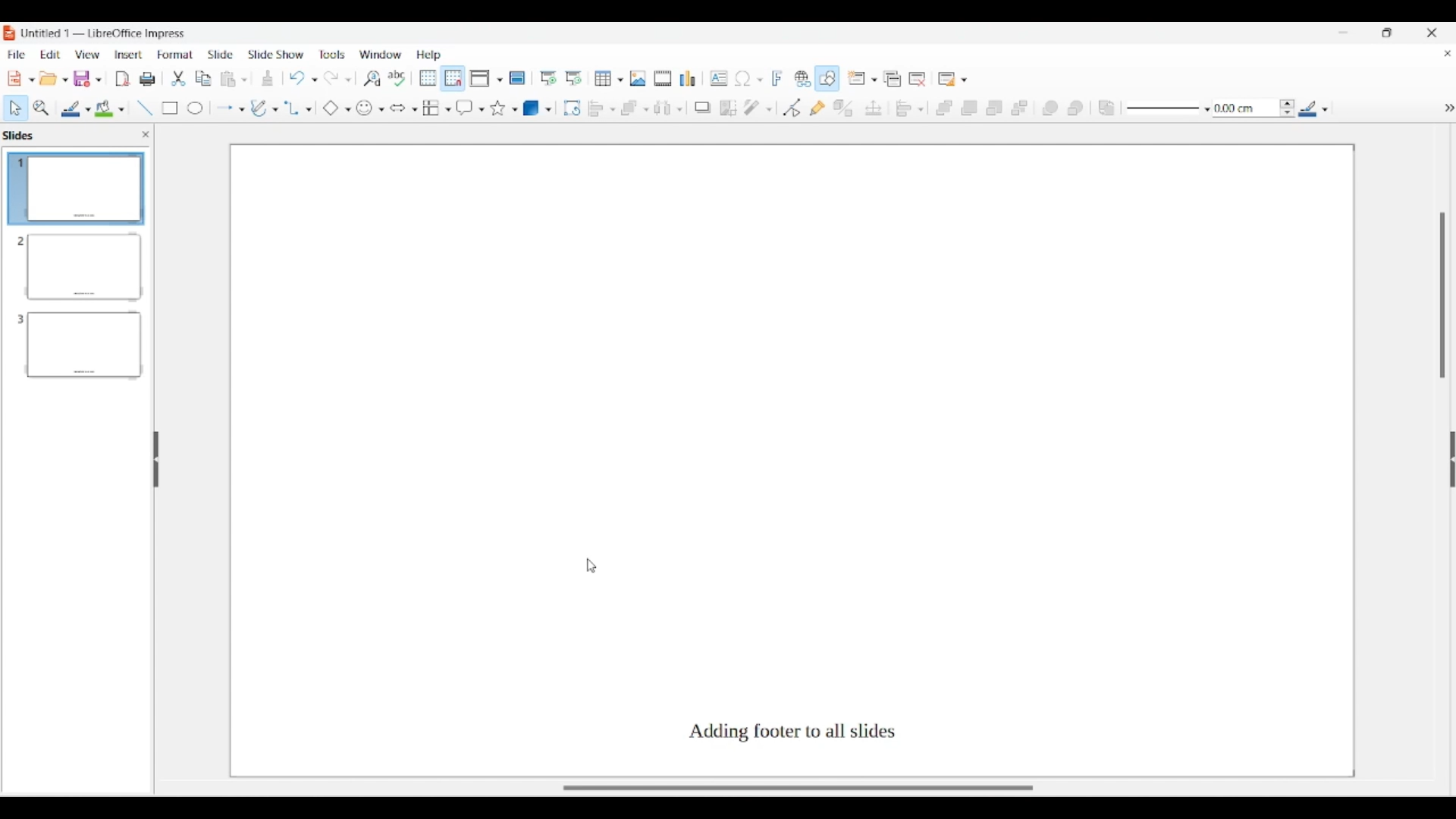  I want to click on File, so click(121, 80).